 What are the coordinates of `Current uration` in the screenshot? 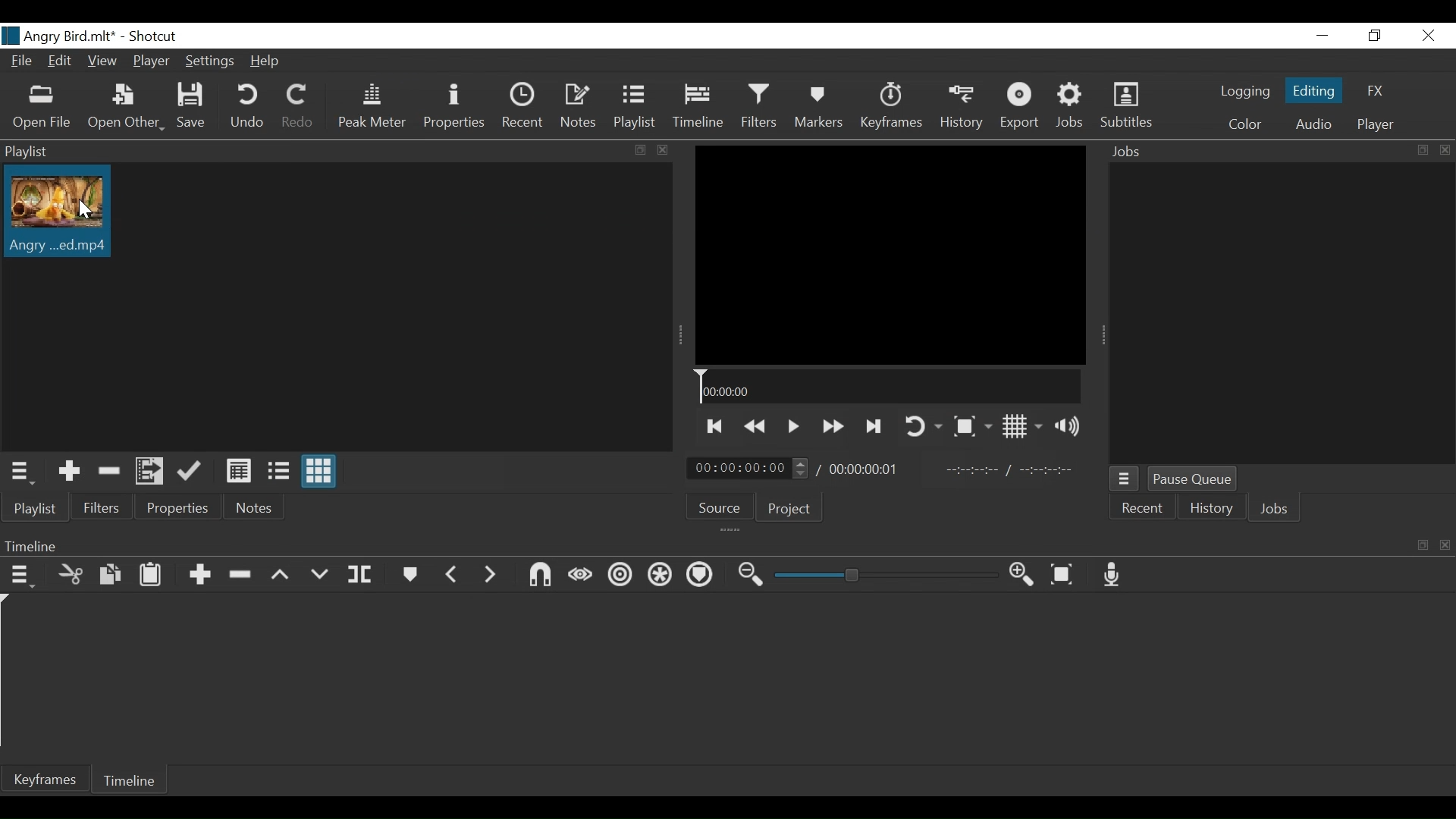 It's located at (748, 467).